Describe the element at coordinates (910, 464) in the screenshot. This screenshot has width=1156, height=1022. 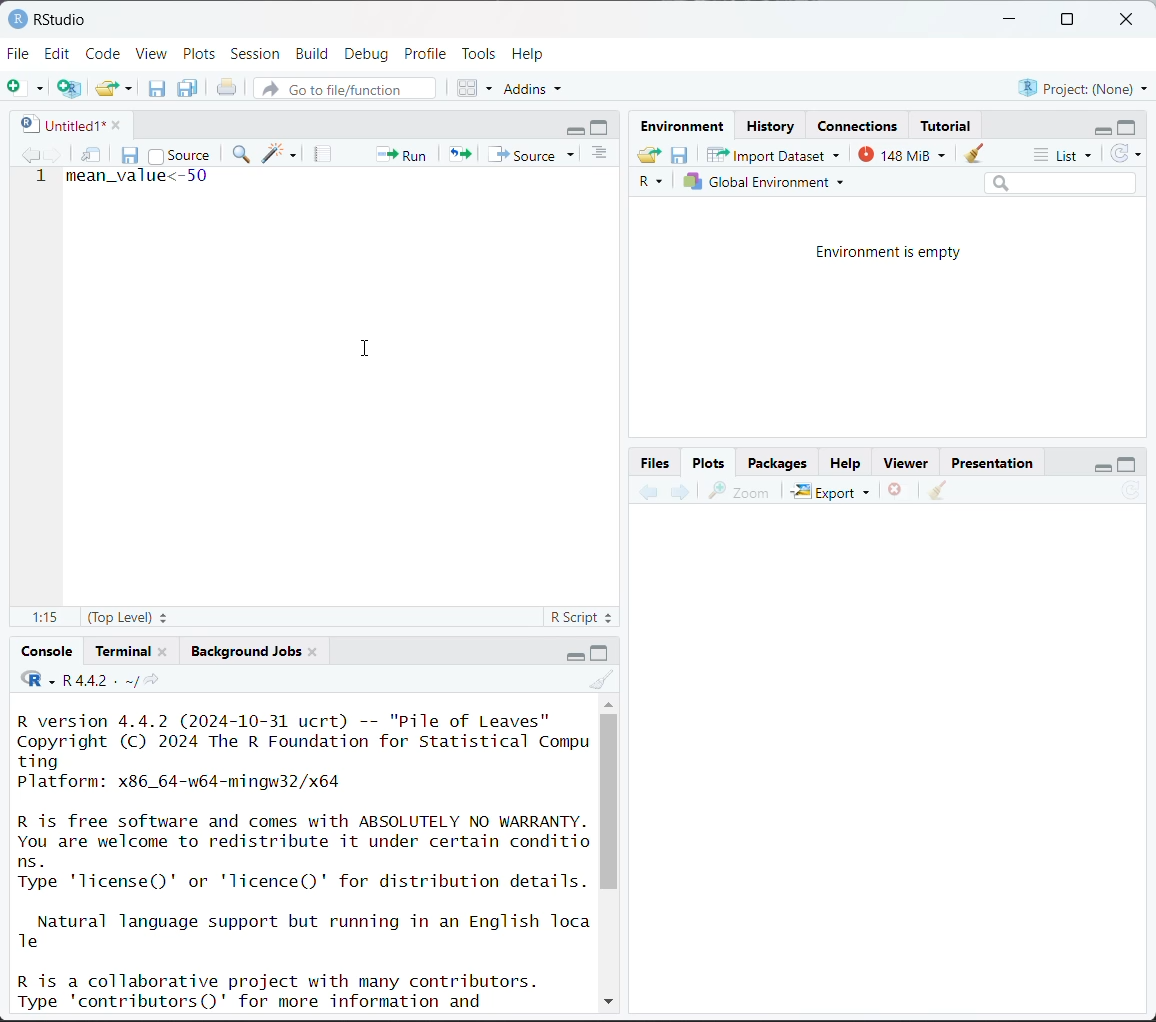
I see `Viewer` at that location.